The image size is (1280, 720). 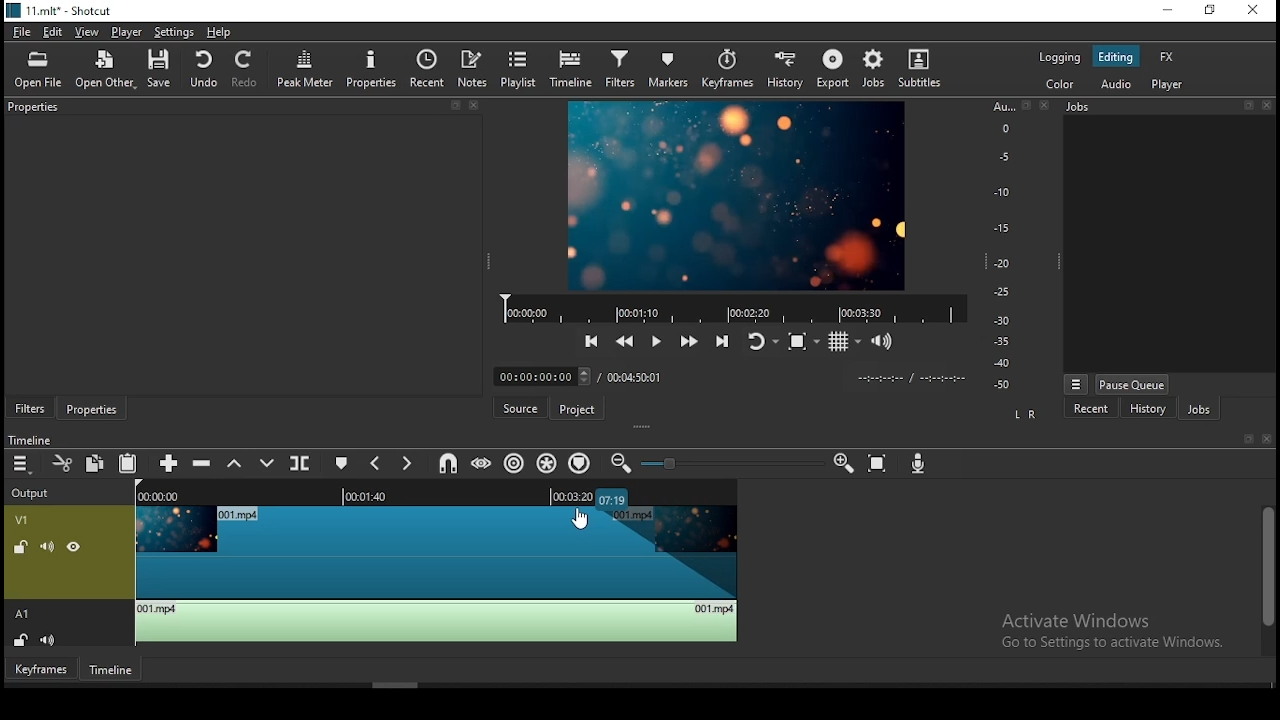 What do you see at coordinates (375, 463) in the screenshot?
I see `previous marker` at bounding box center [375, 463].